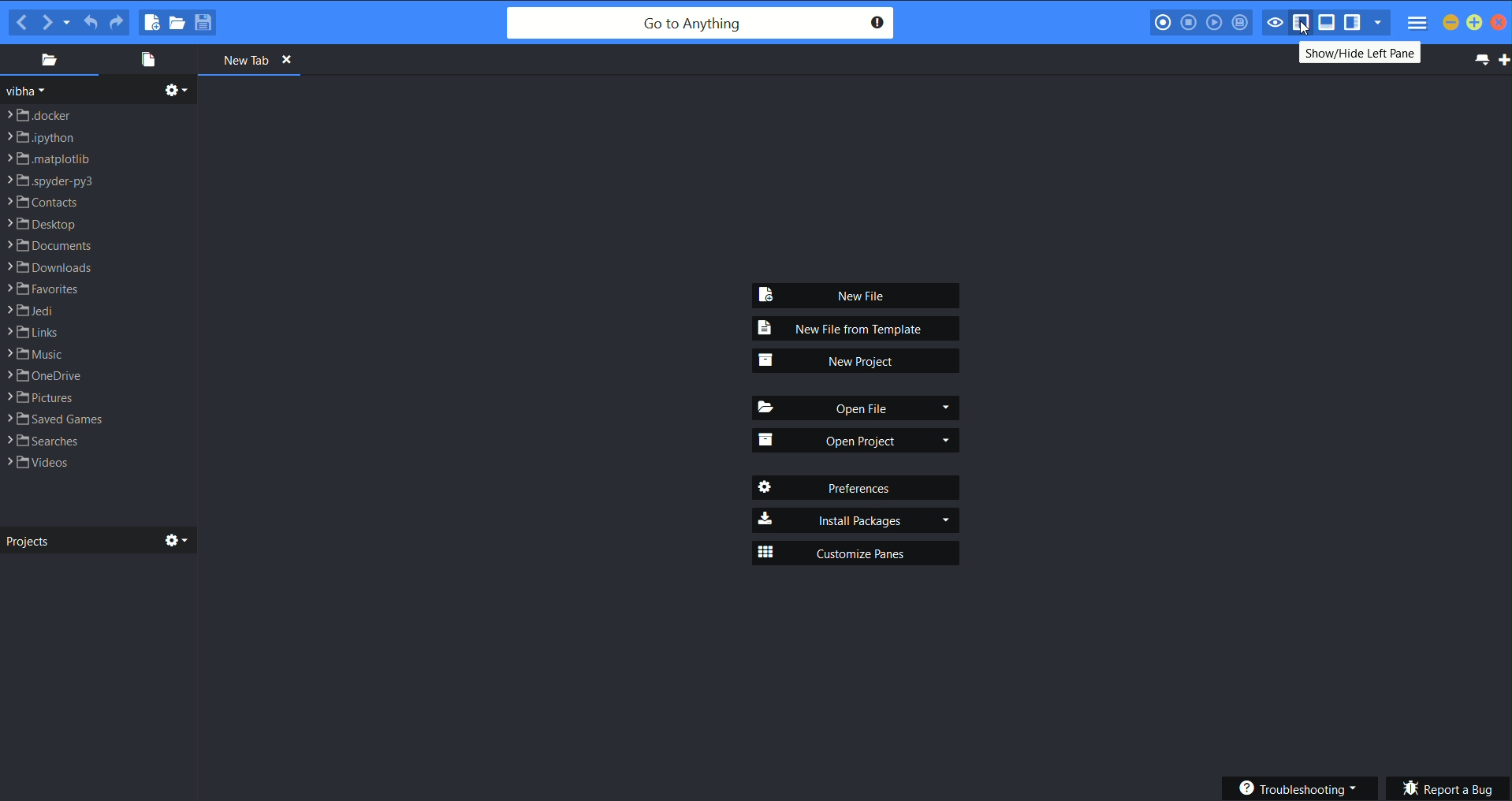 Image resolution: width=1512 pixels, height=801 pixels. What do you see at coordinates (857, 441) in the screenshot?
I see `open project` at bounding box center [857, 441].